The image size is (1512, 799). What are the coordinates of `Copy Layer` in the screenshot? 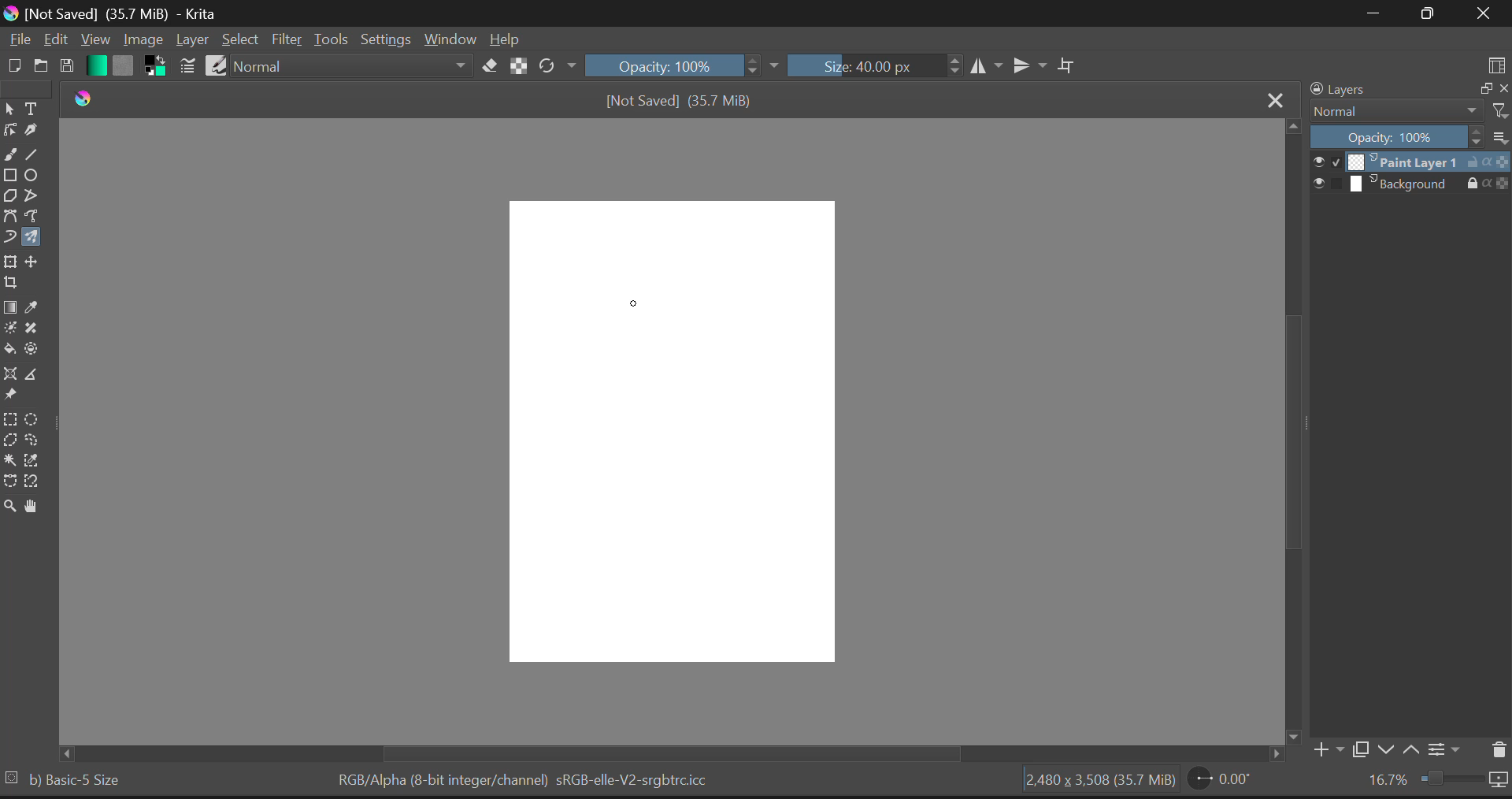 It's located at (1362, 749).